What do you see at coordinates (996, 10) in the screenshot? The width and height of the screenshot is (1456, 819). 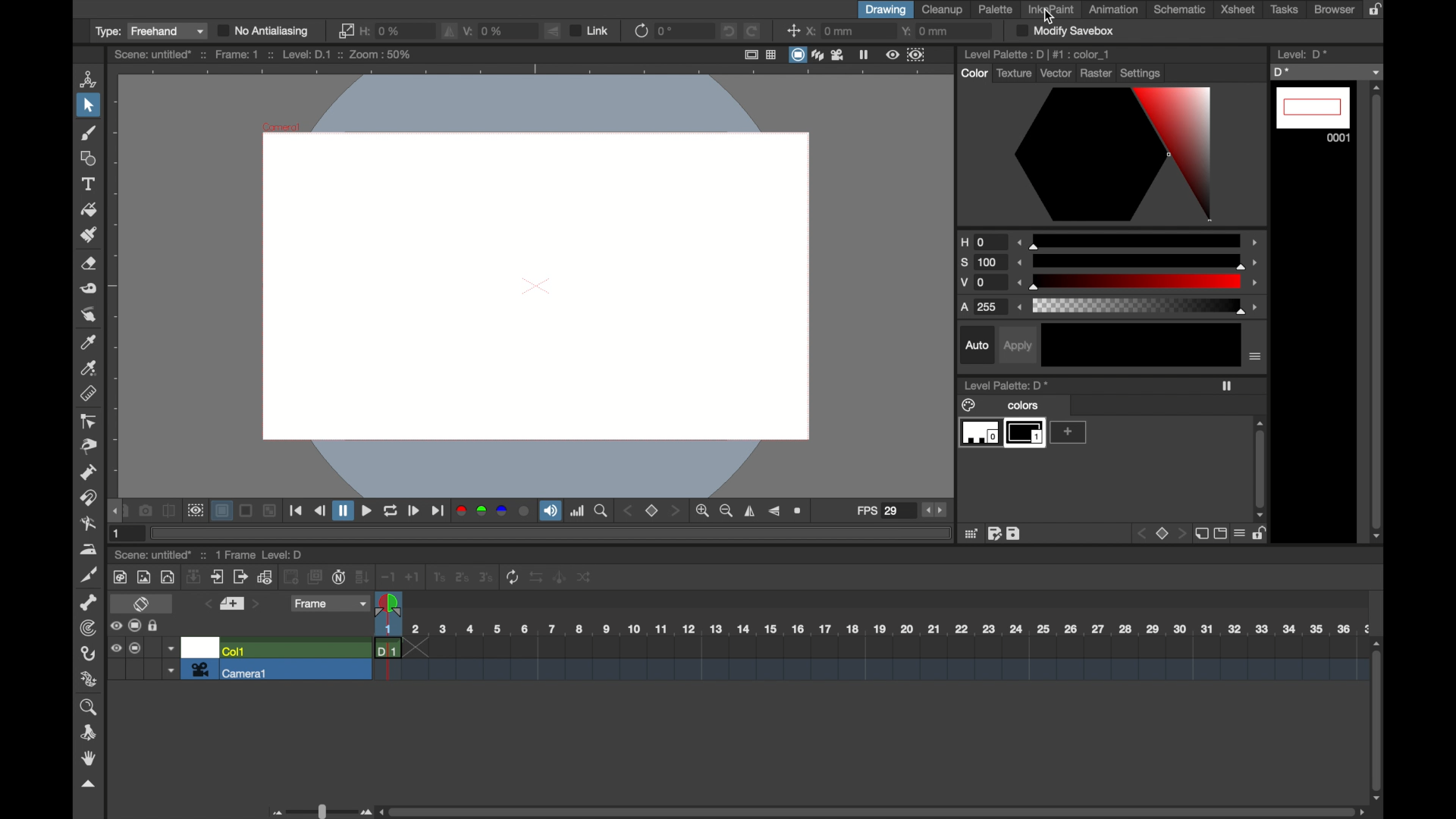 I see `palette` at bounding box center [996, 10].